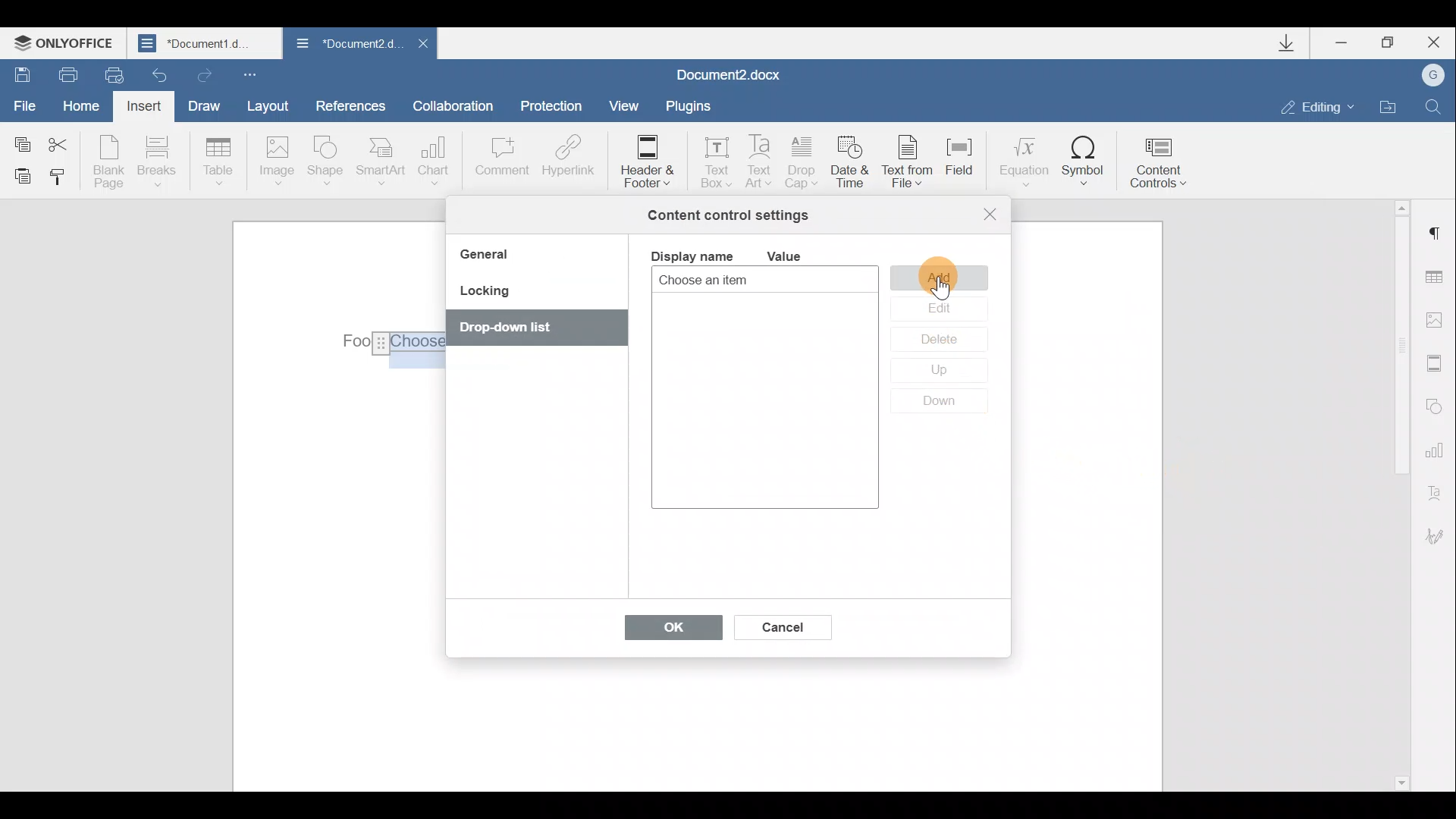 Image resolution: width=1456 pixels, height=819 pixels. Describe the element at coordinates (1388, 105) in the screenshot. I see `Open file location` at that location.